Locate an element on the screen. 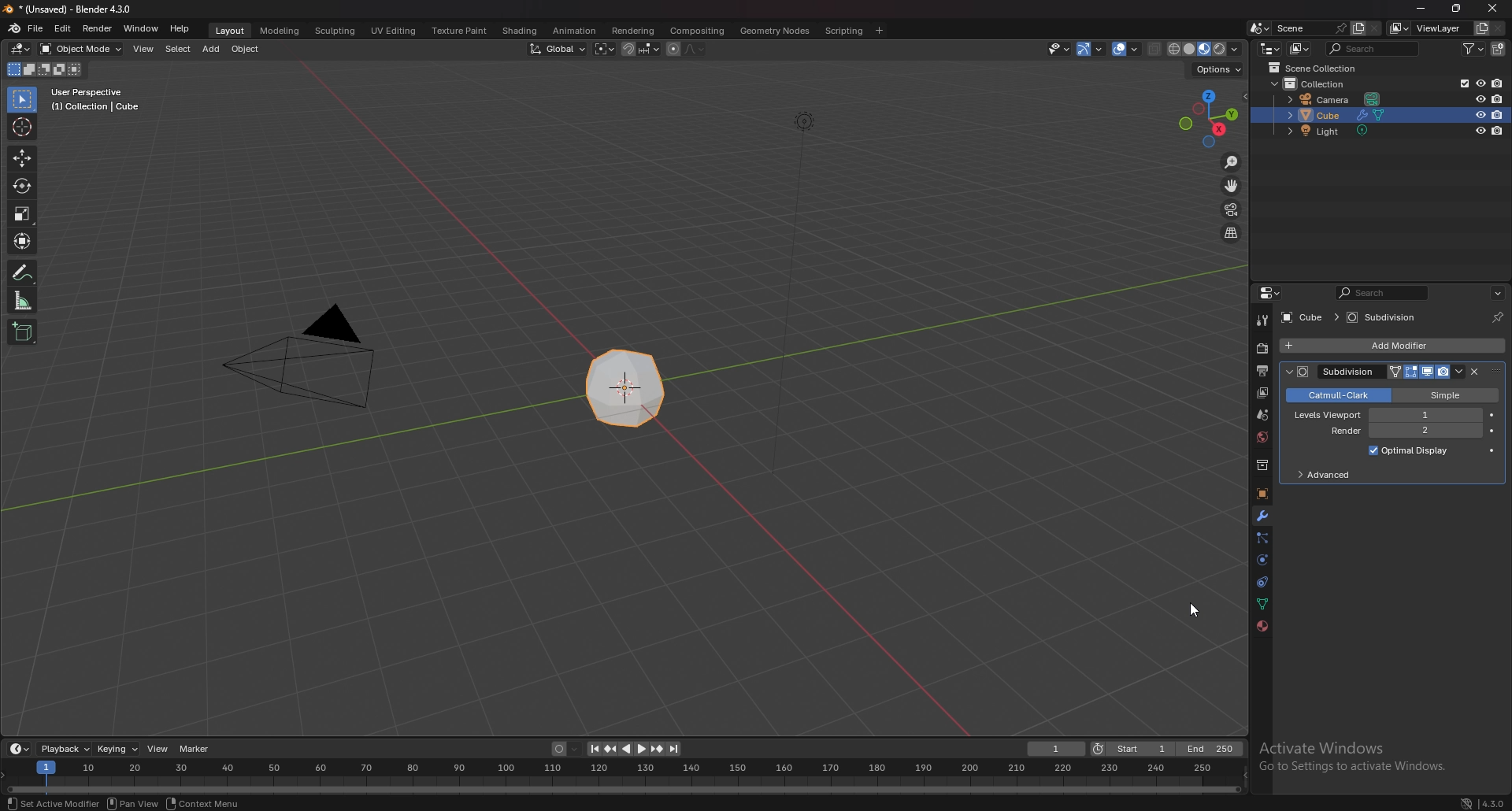  editor type is located at coordinates (20, 49).